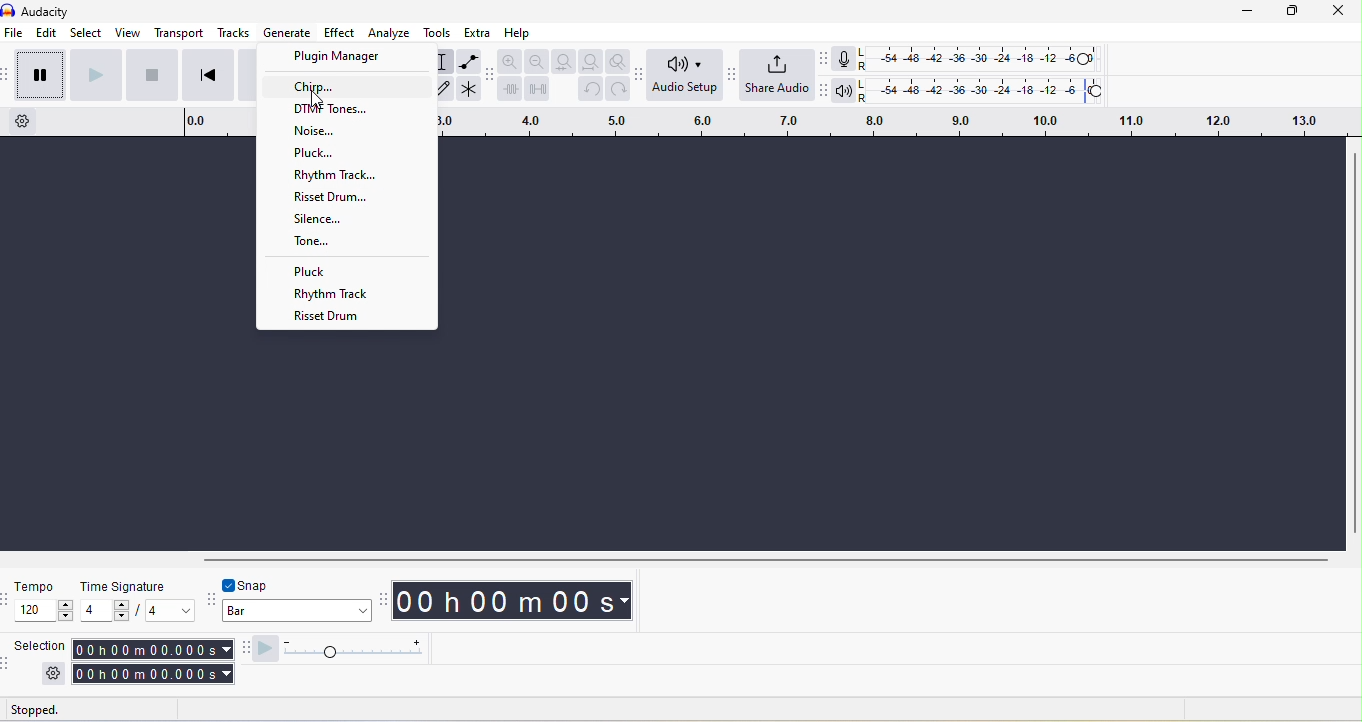 The image size is (1362, 722). What do you see at coordinates (16, 34) in the screenshot?
I see `file` at bounding box center [16, 34].